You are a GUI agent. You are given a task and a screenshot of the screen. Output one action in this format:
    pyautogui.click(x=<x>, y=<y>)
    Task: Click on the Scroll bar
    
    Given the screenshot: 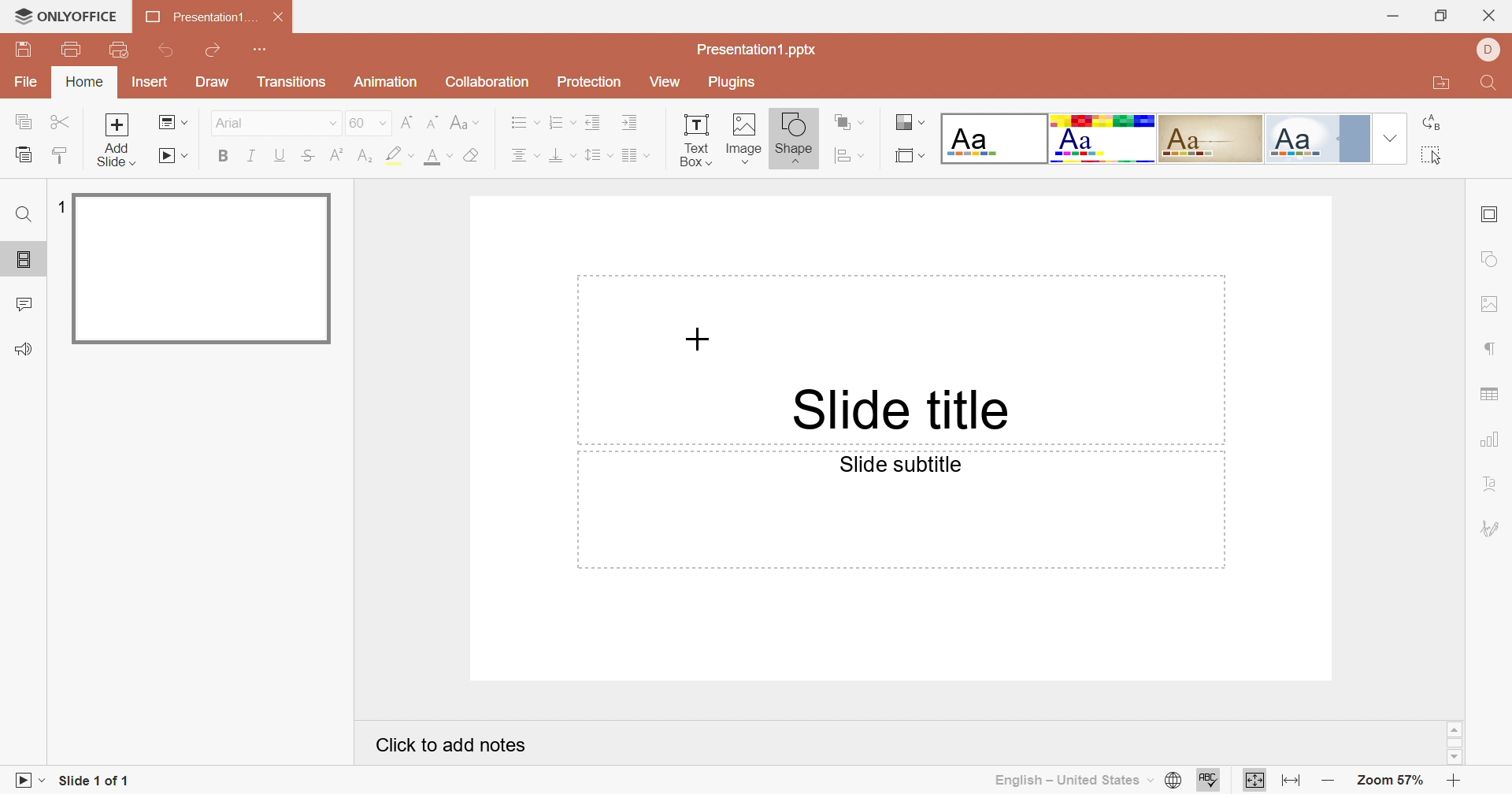 What is the action you would take?
    pyautogui.click(x=1455, y=744)
    